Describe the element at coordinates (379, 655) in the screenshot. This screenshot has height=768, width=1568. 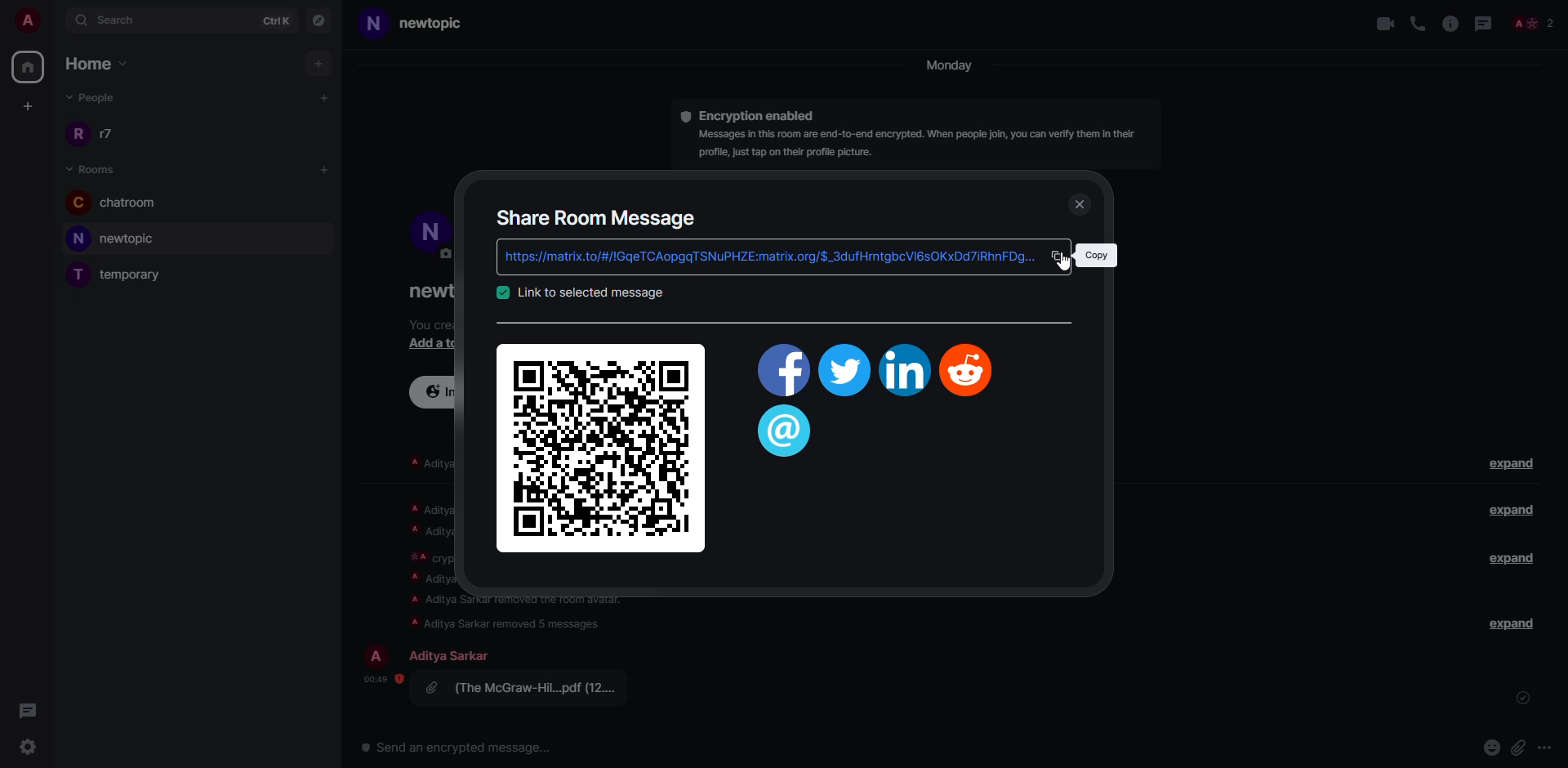
I see `profile` at that location.